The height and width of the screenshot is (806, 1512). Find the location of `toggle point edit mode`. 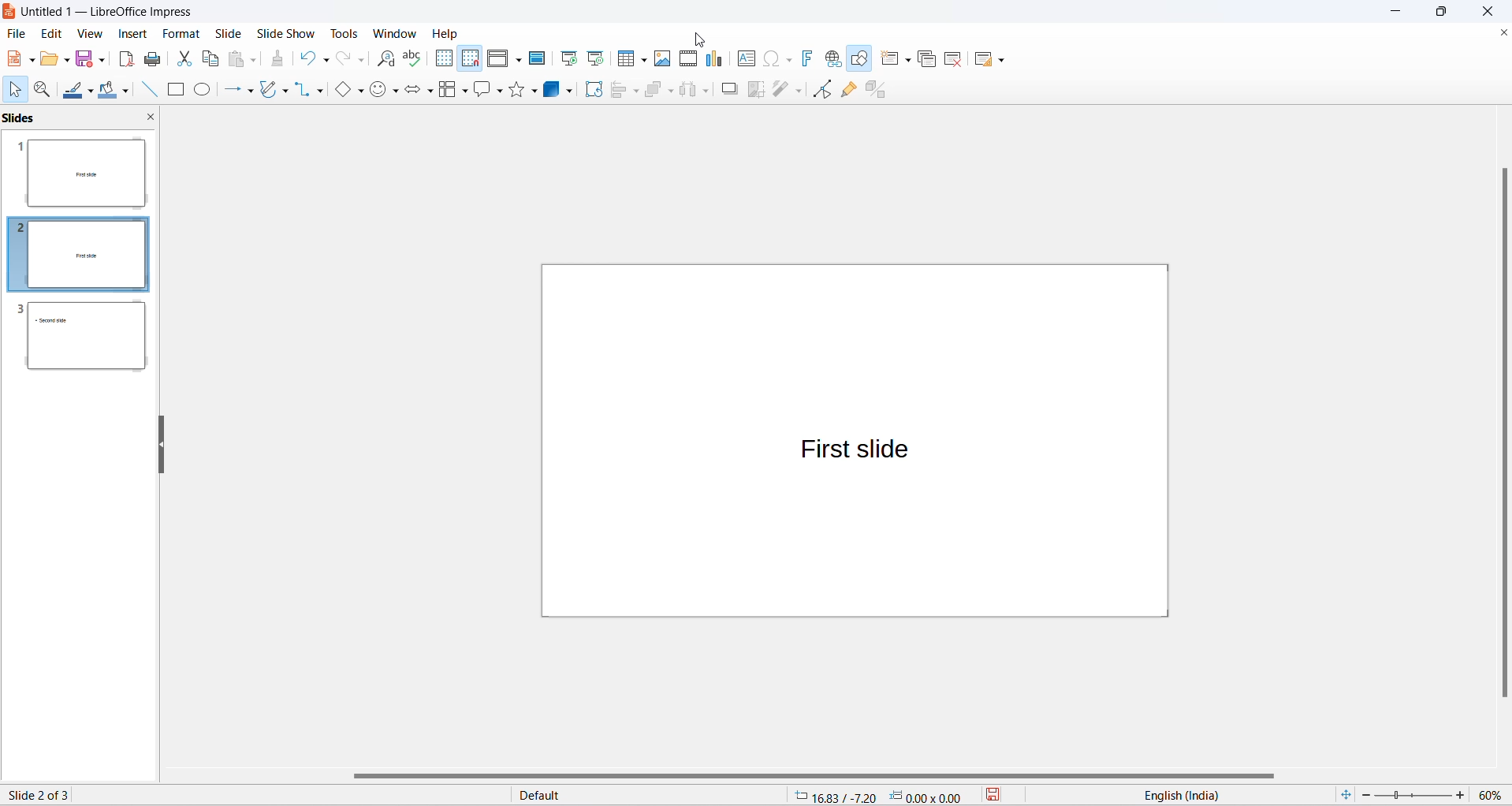

toggle point edit mode is located at coordinates (779, 88).